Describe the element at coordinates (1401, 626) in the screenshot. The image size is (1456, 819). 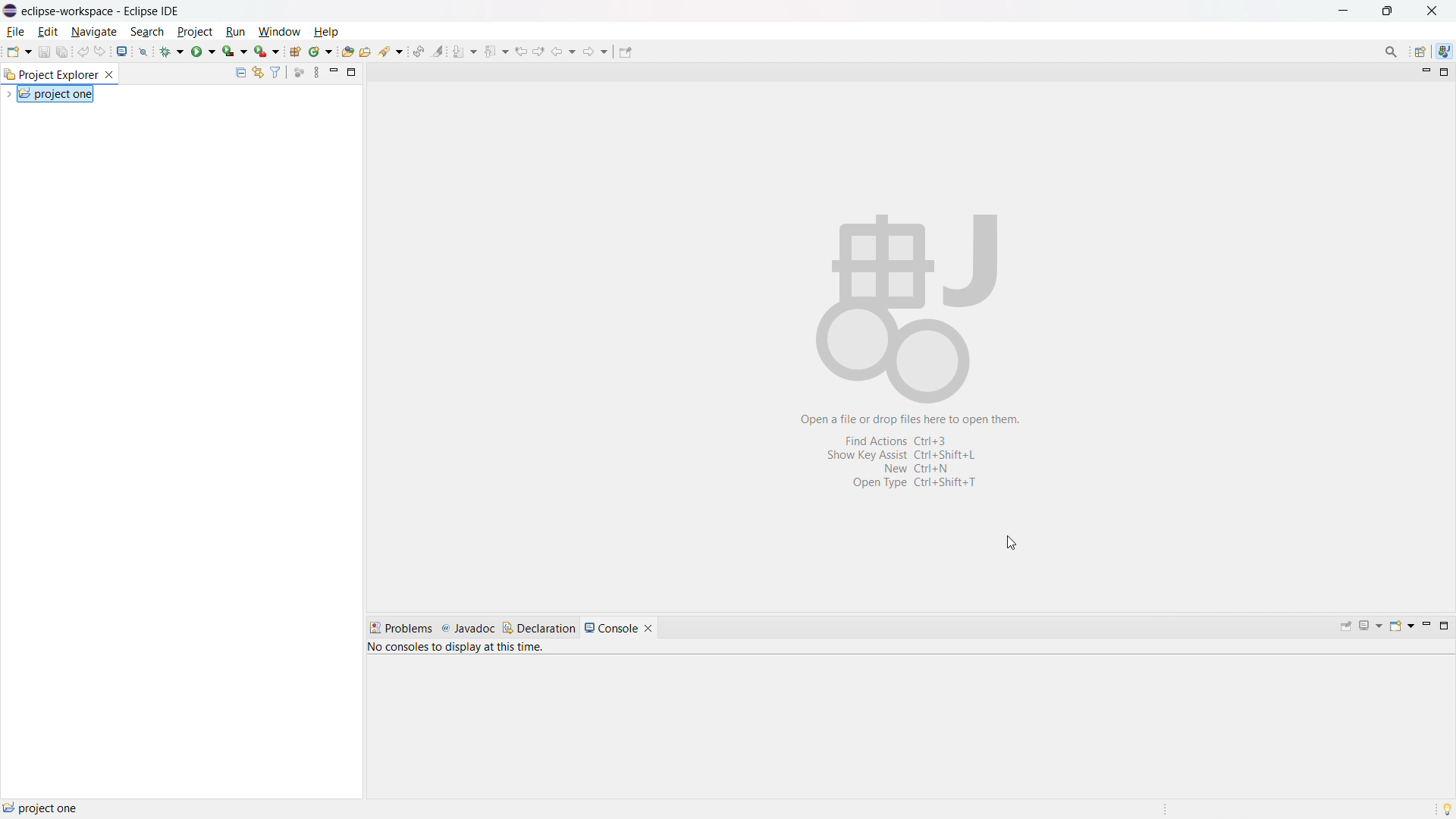
I see `open console` at that location.